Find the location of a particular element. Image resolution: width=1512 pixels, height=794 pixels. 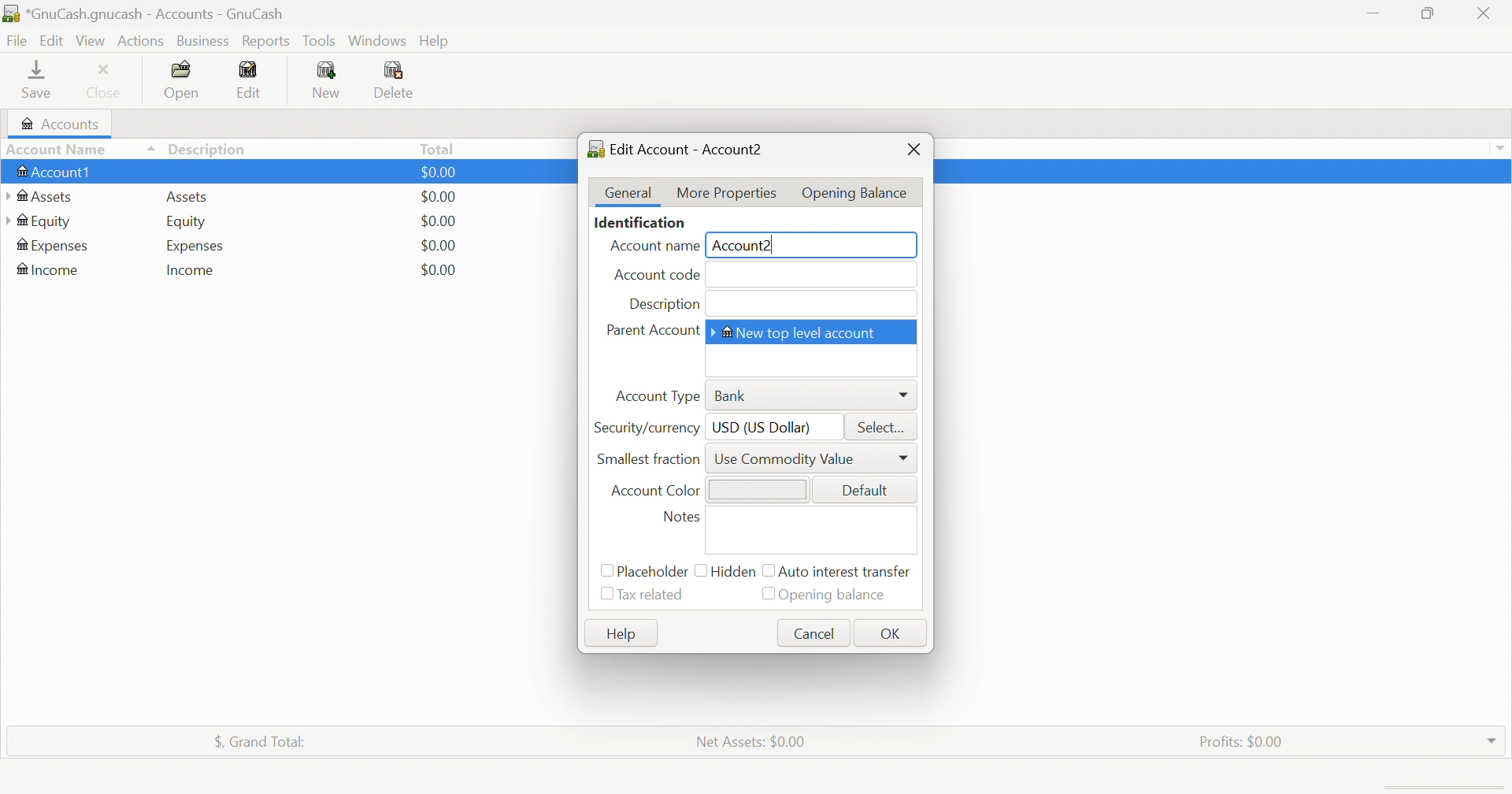

Restore Down is located at coordinates (1429, 13).